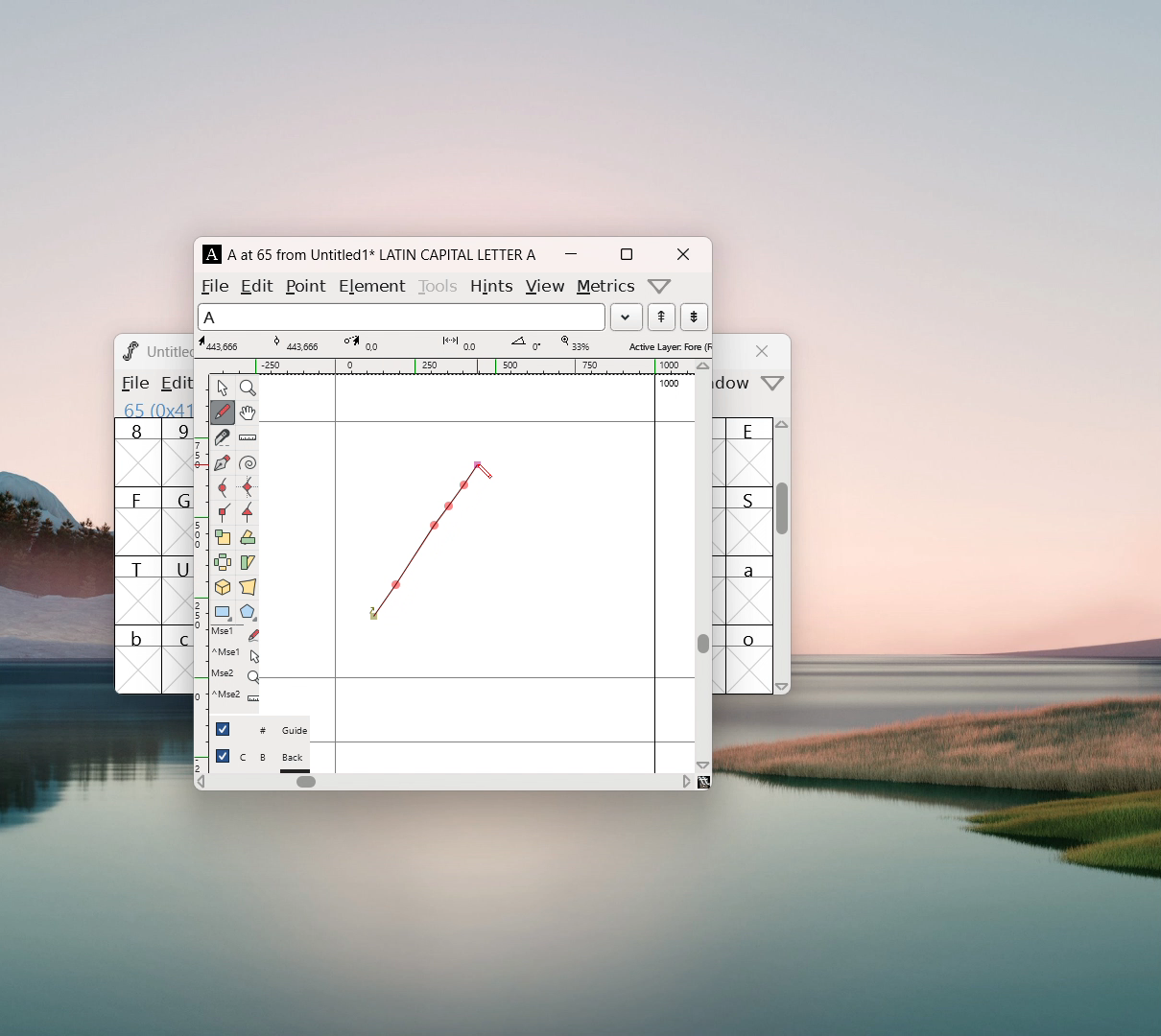 The height and width of the screenshot is (1036, 1161). Describe the element at coordinates (626, 317) in the screenshot. I see `load word list` at that location.